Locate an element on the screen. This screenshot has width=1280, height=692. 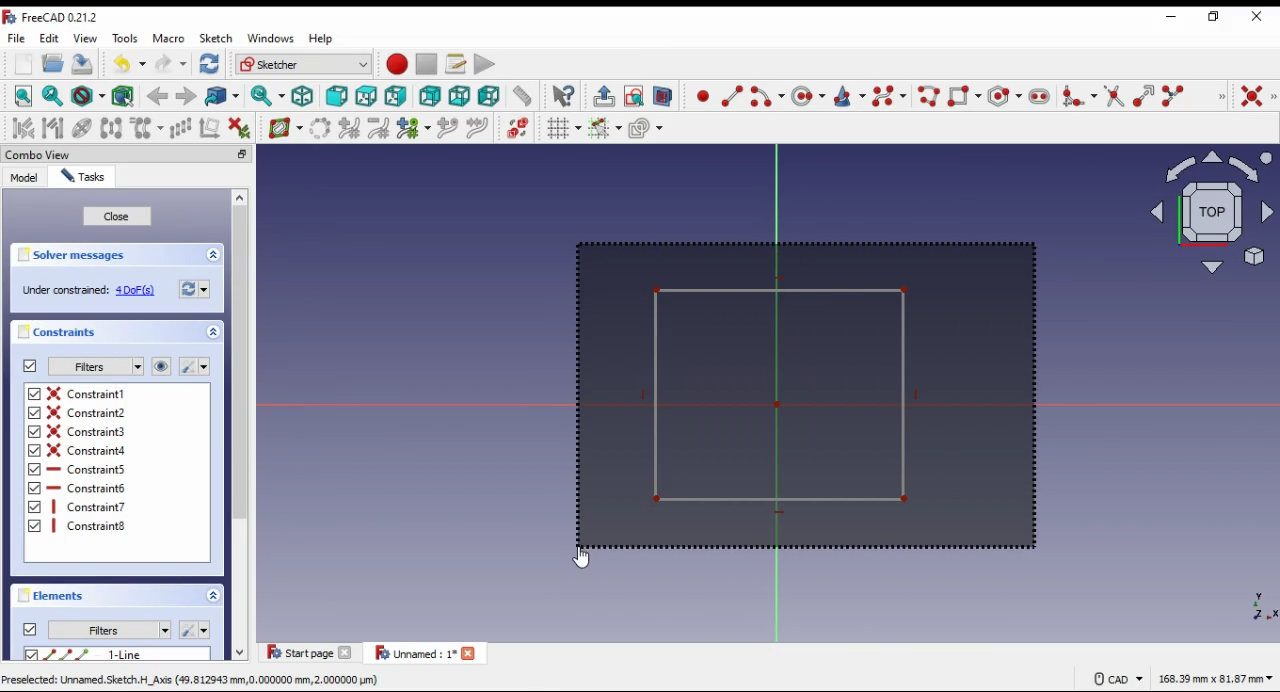
create polyline is located at coordinates (927, 95).